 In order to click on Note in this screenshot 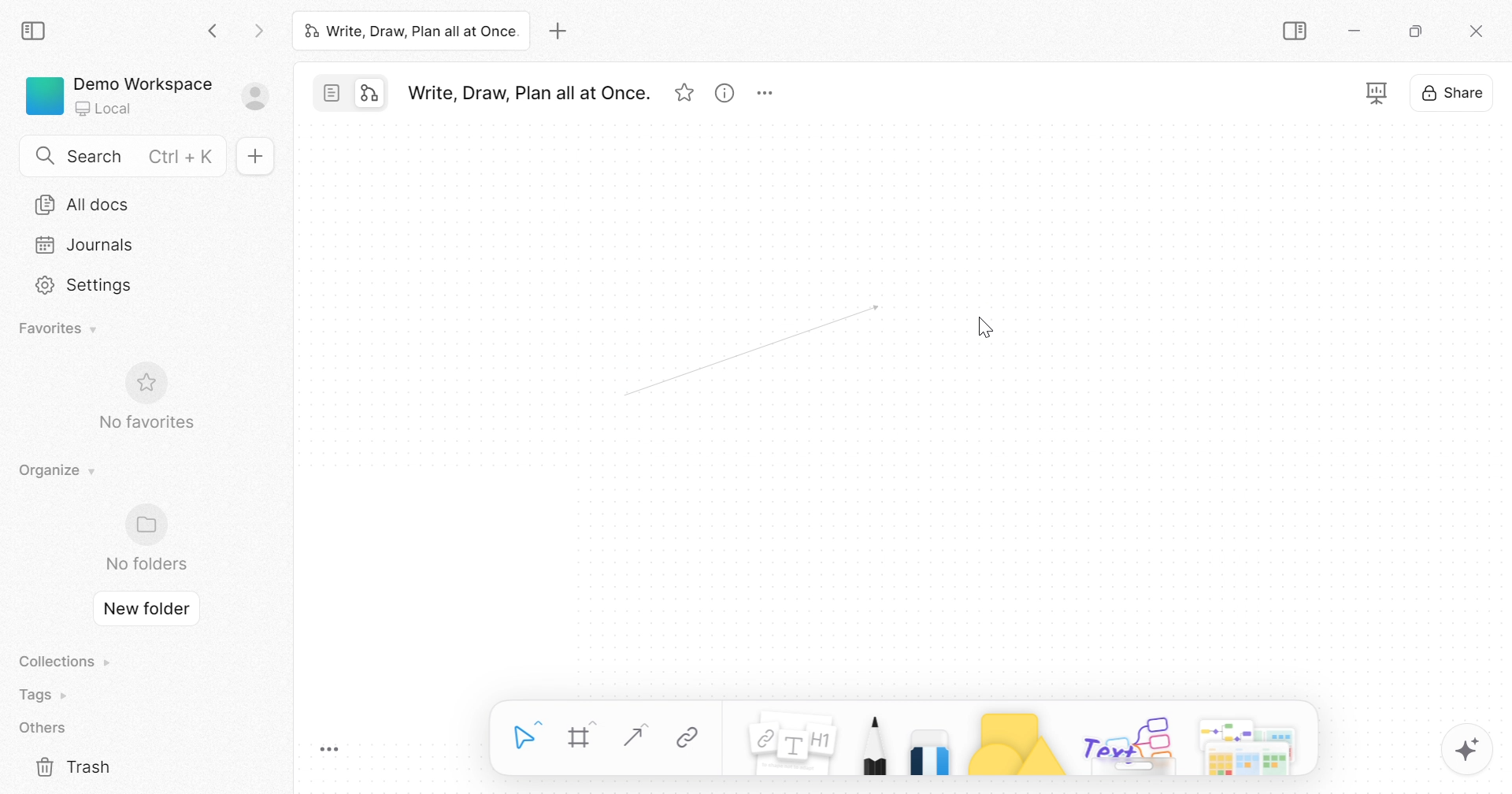, I will do `click(789, 747)`.